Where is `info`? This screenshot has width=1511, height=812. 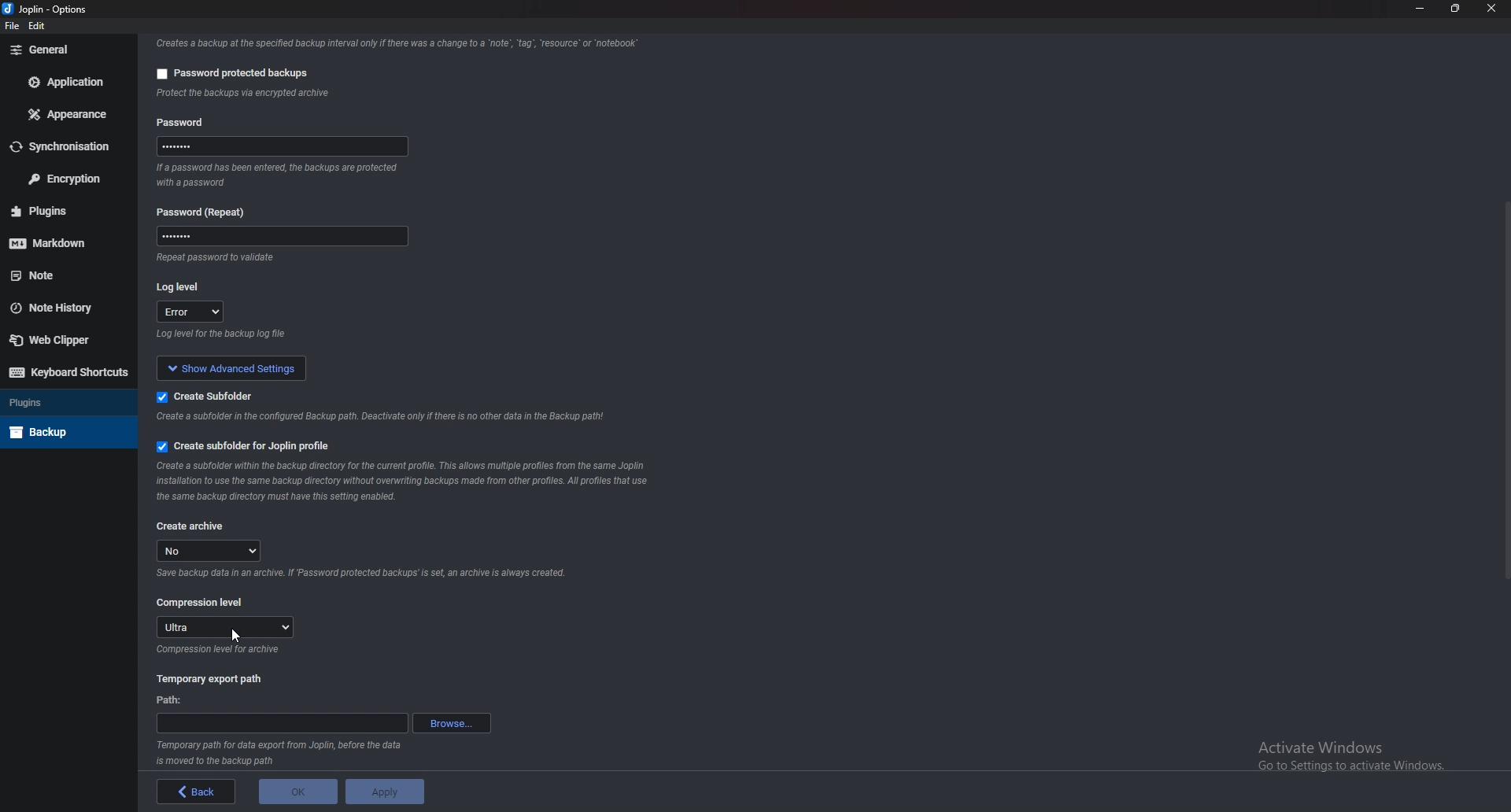
info is located at coordinates (249, 259).